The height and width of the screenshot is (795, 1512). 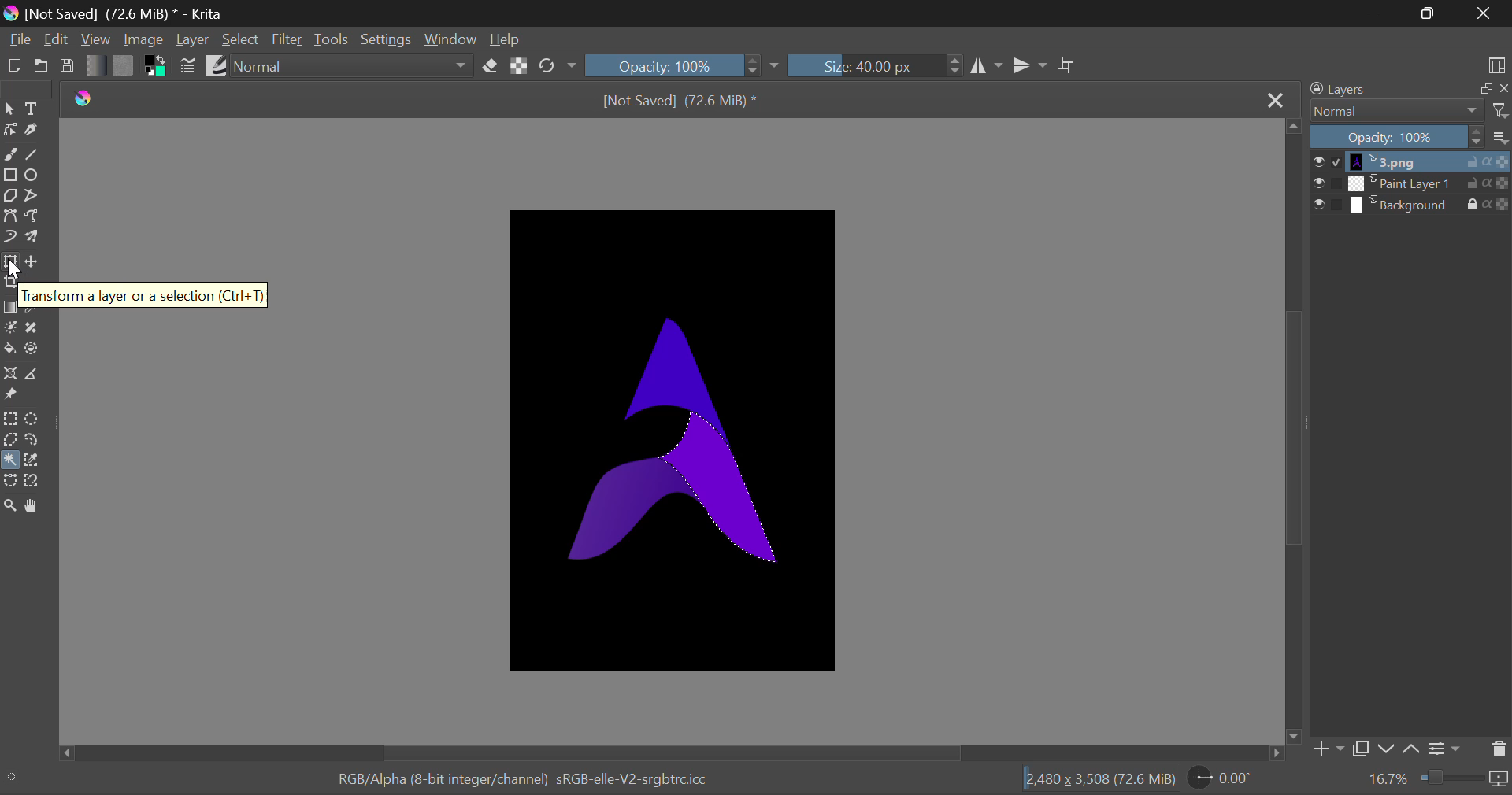 I want to click on [2.480 x 3,508 (71.4 MiB), so click(x=1102, y=780).